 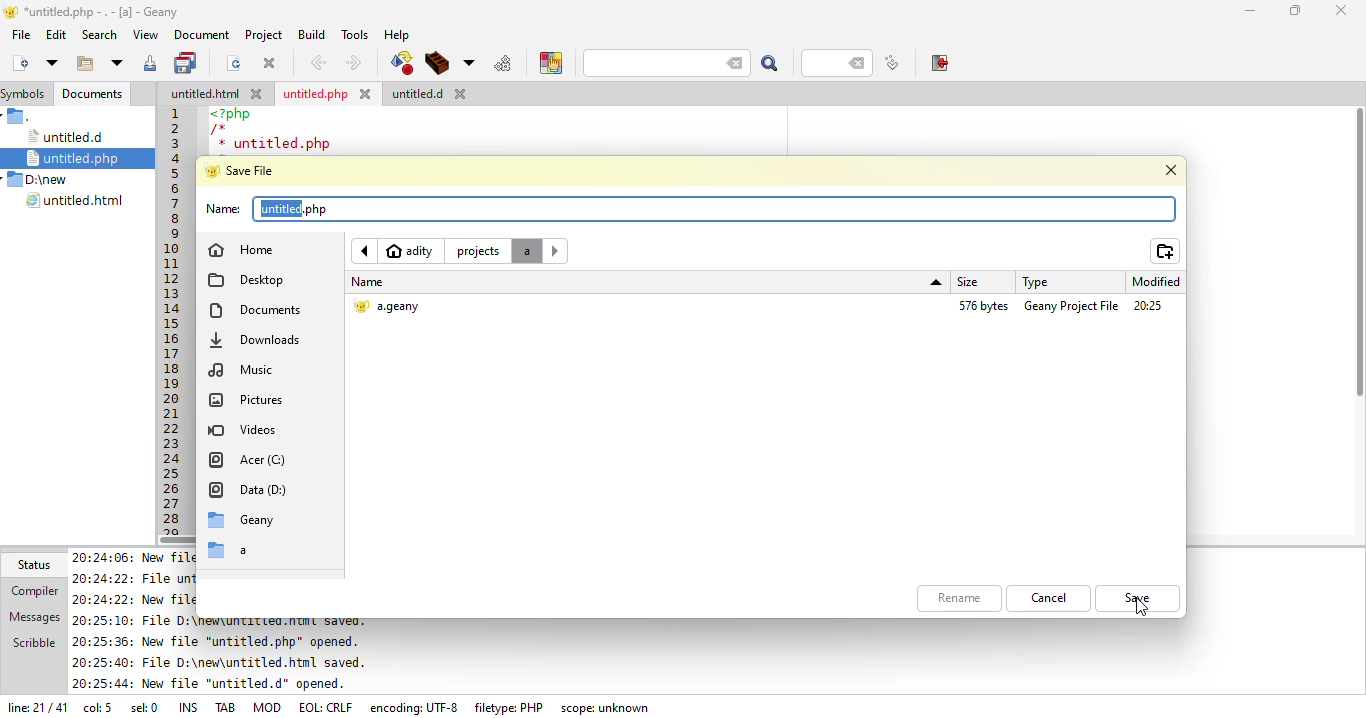 I want to click on home, so click(x=250, y=248).